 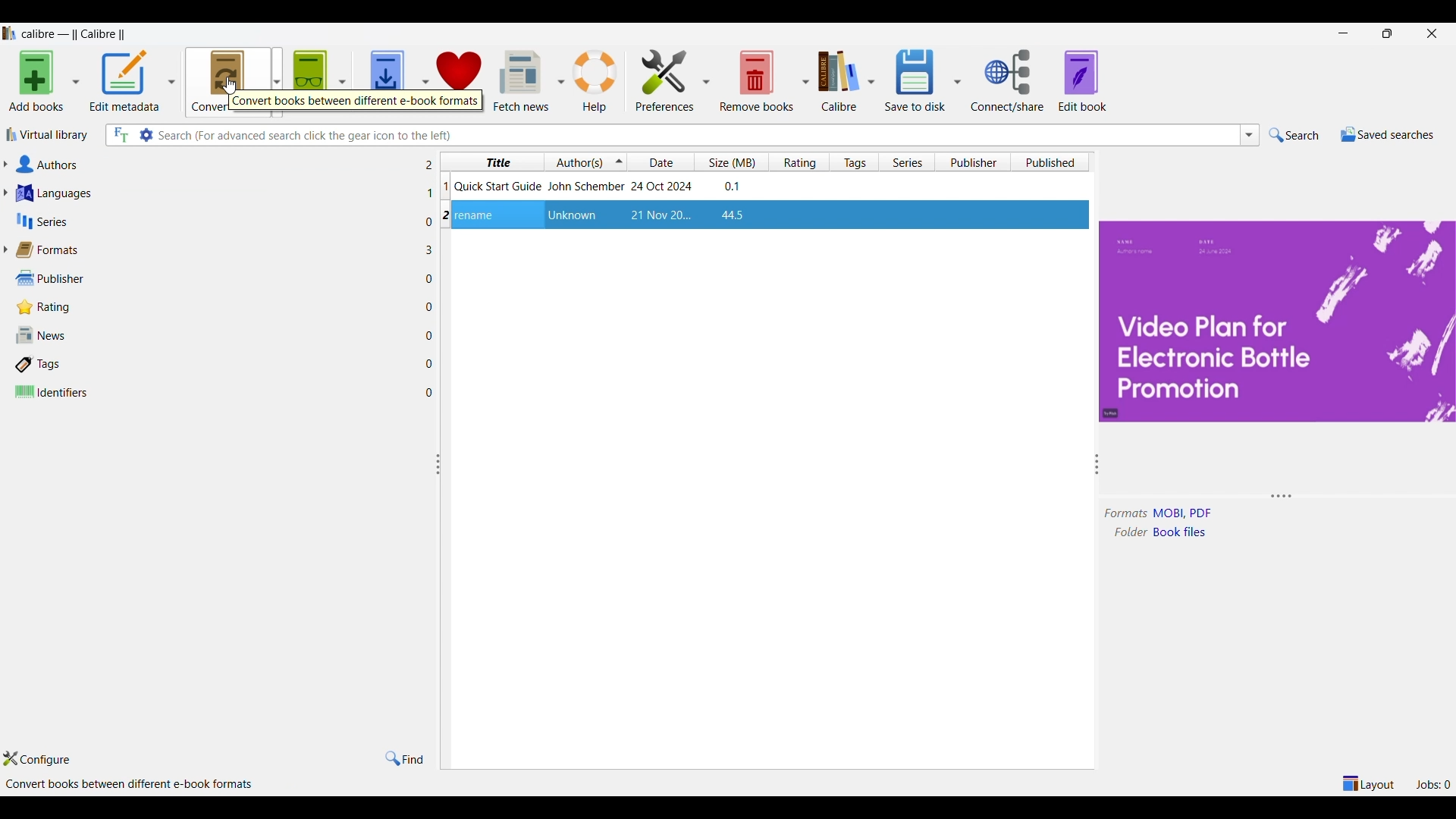 I want to click on Rating, so click(x=216, y=307).